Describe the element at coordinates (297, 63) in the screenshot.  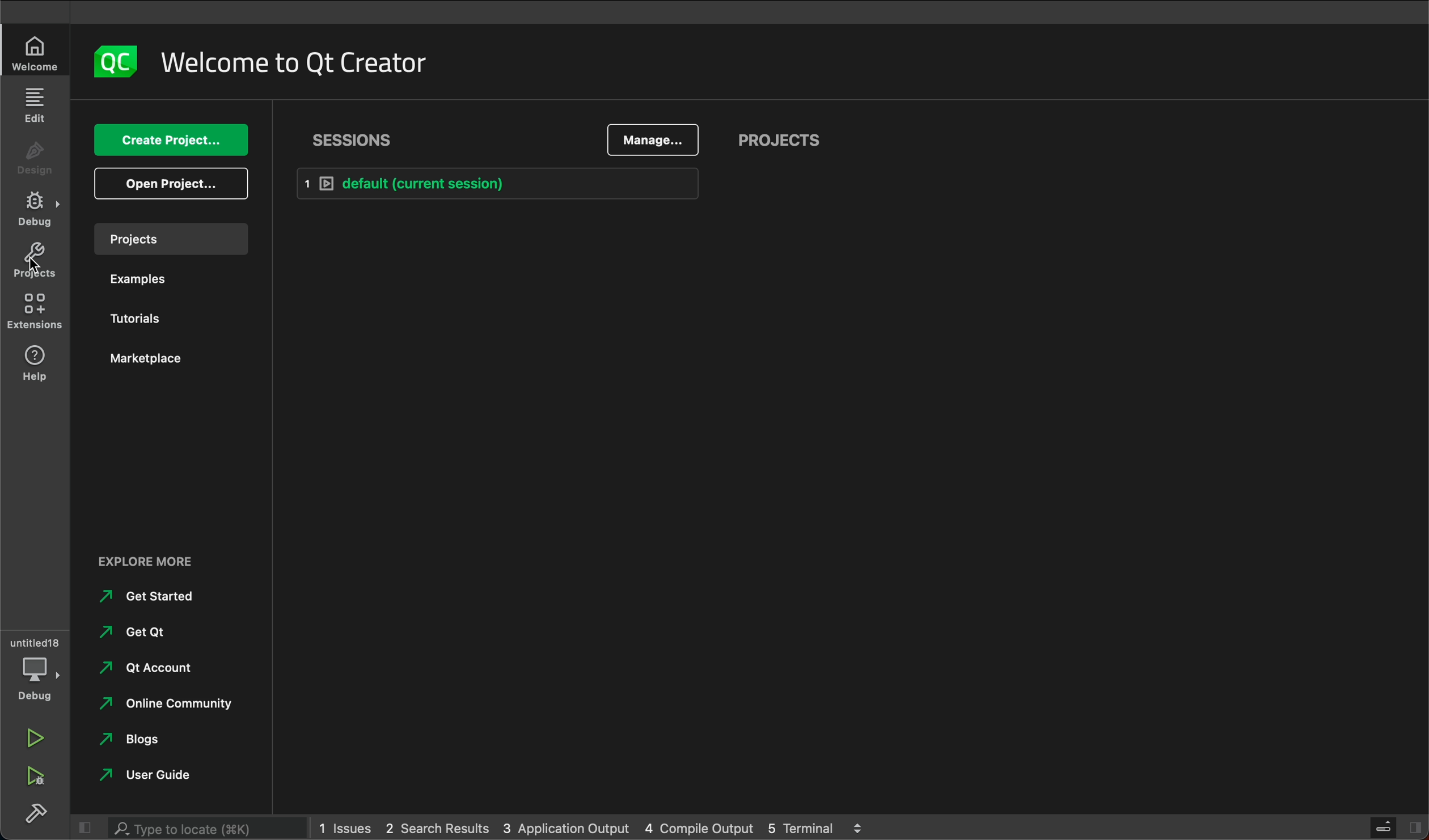
I see `welcome to qt creator ` at that location.